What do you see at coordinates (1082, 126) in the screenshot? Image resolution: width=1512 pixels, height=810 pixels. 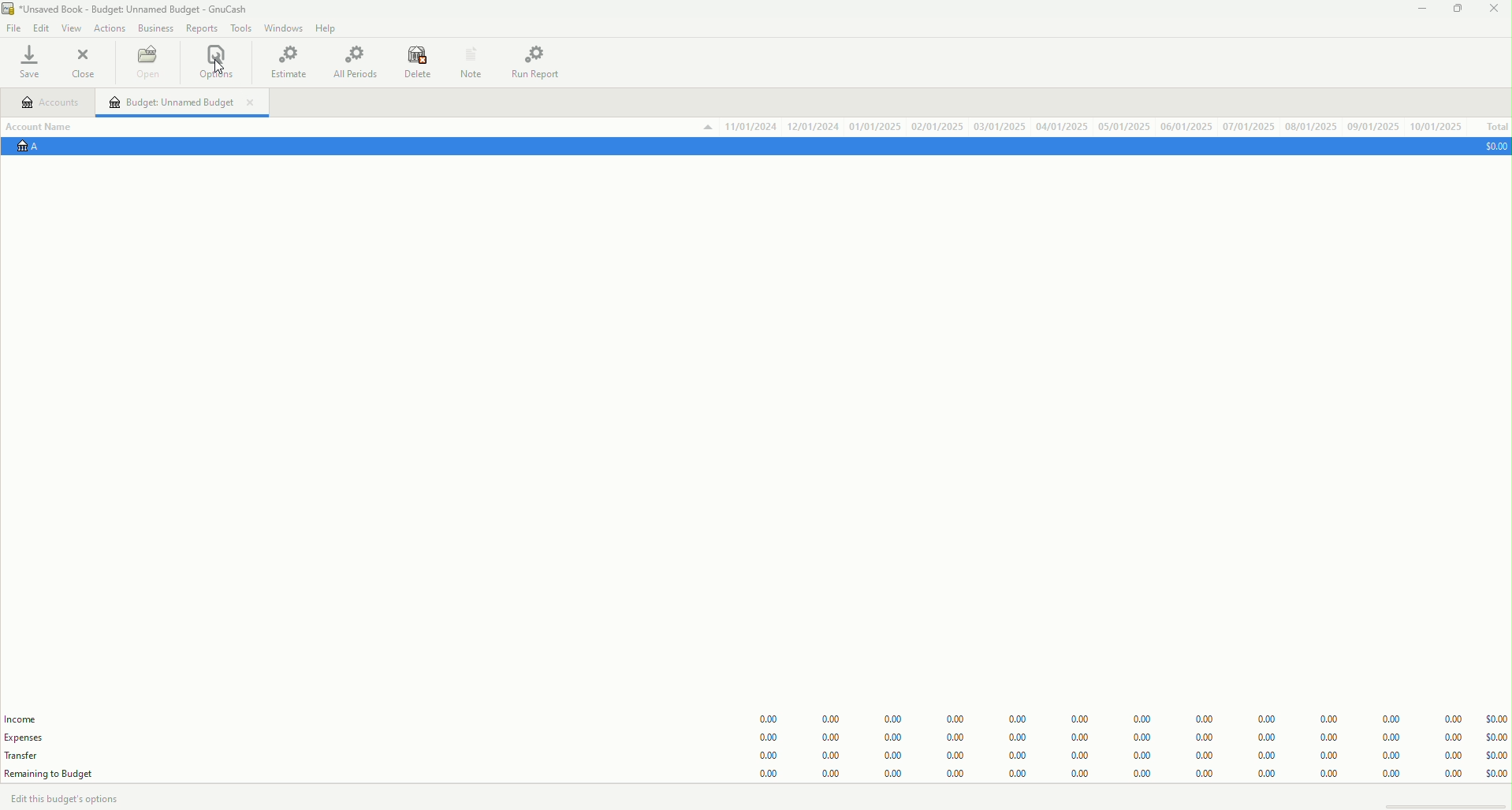 I see `Account Data` at bounding box center [1082, 126].